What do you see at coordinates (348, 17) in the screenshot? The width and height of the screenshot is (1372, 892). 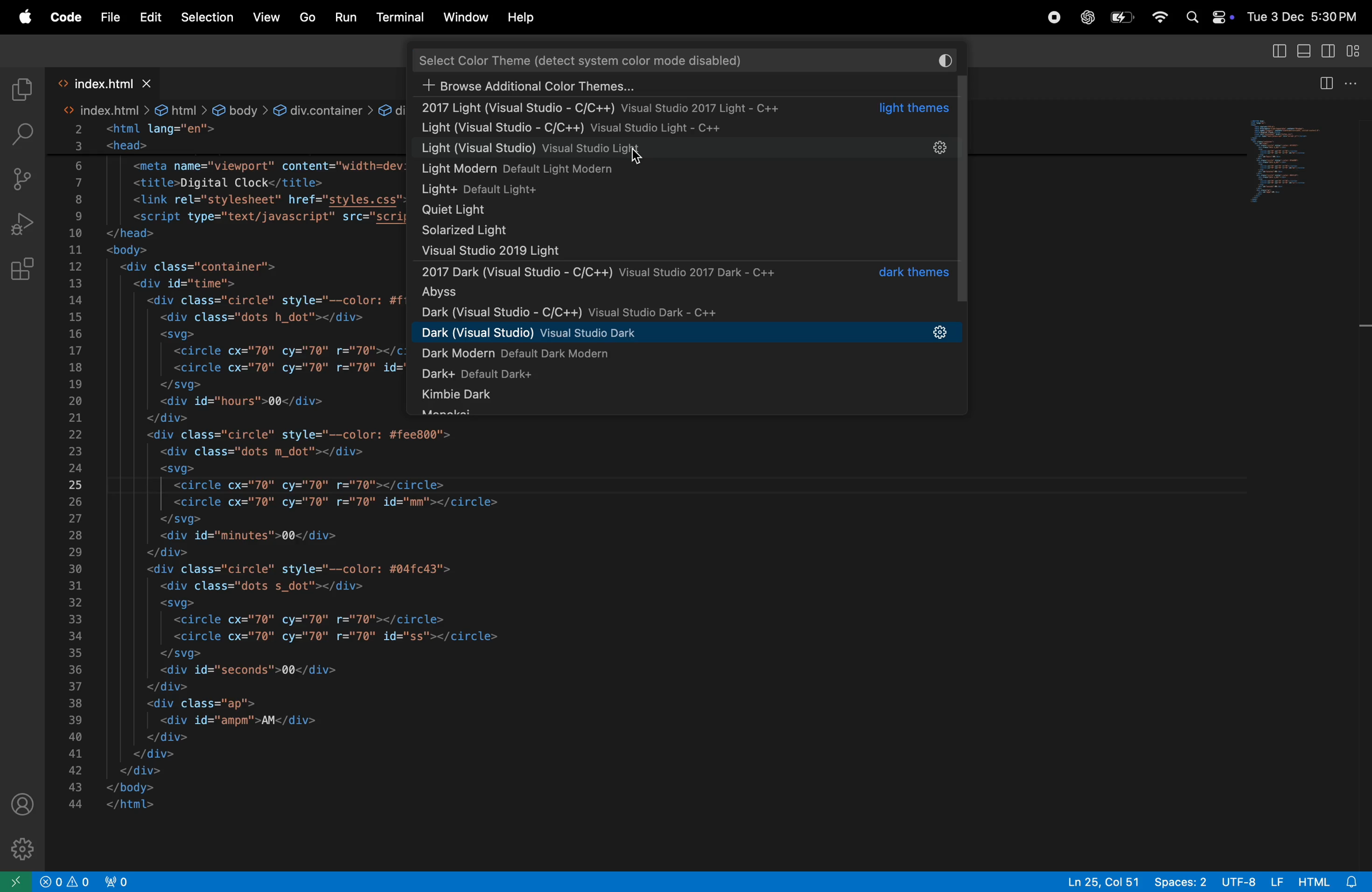 I see `run` at bounding box center [348, 17].